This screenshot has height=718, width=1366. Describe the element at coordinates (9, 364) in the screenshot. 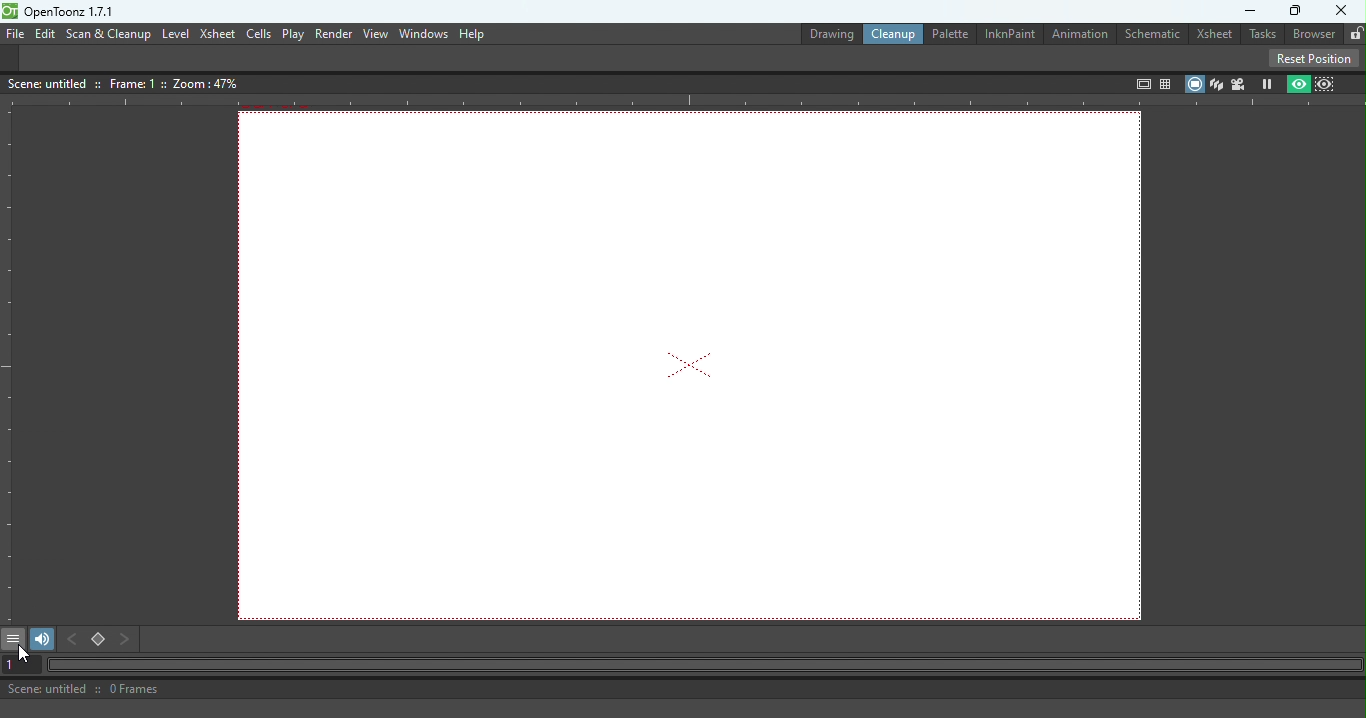

I see `Vertical ruler` at that location.